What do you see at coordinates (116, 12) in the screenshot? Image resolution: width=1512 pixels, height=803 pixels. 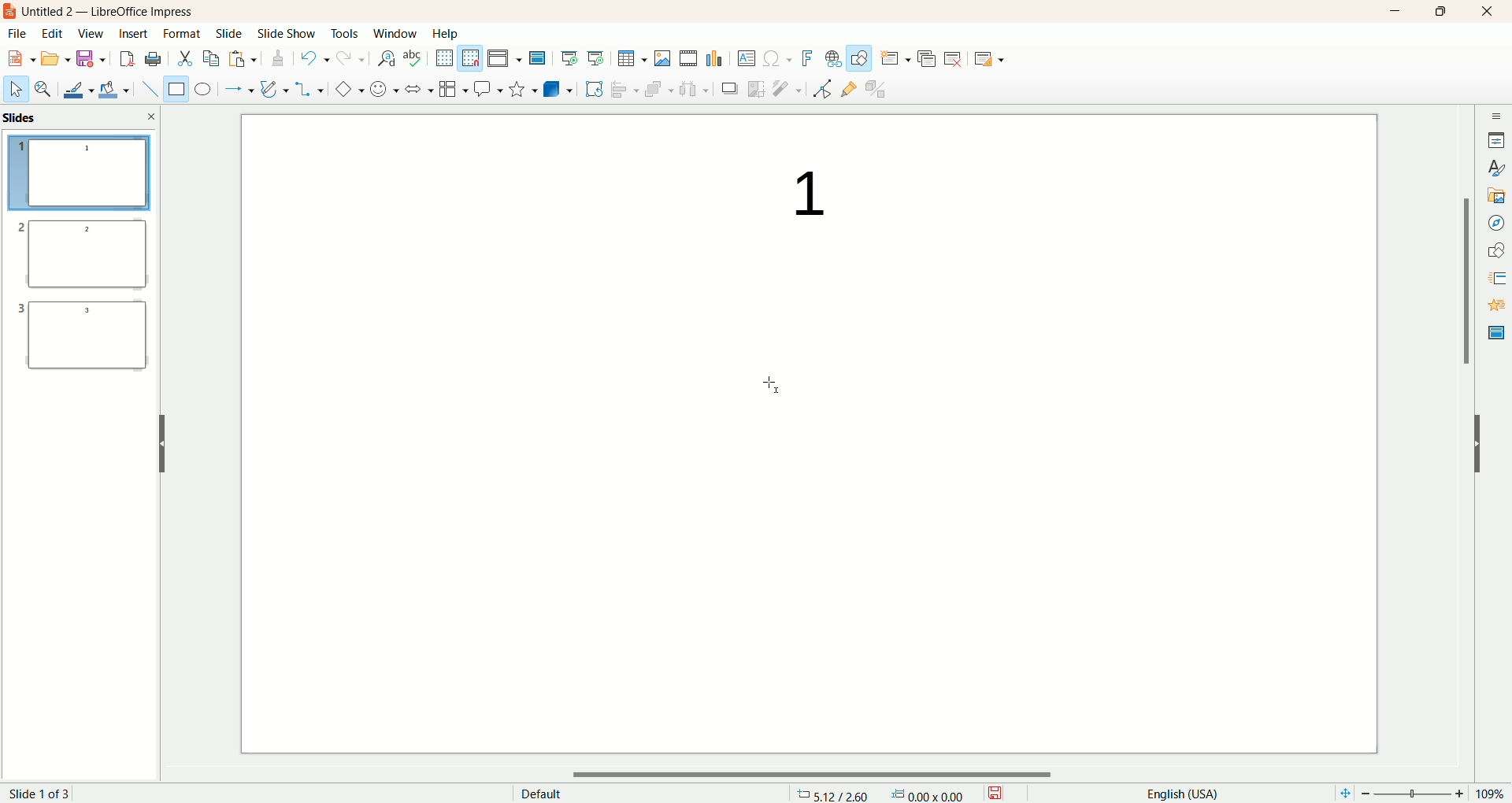 I see `title` at bounding box center [116, 12].